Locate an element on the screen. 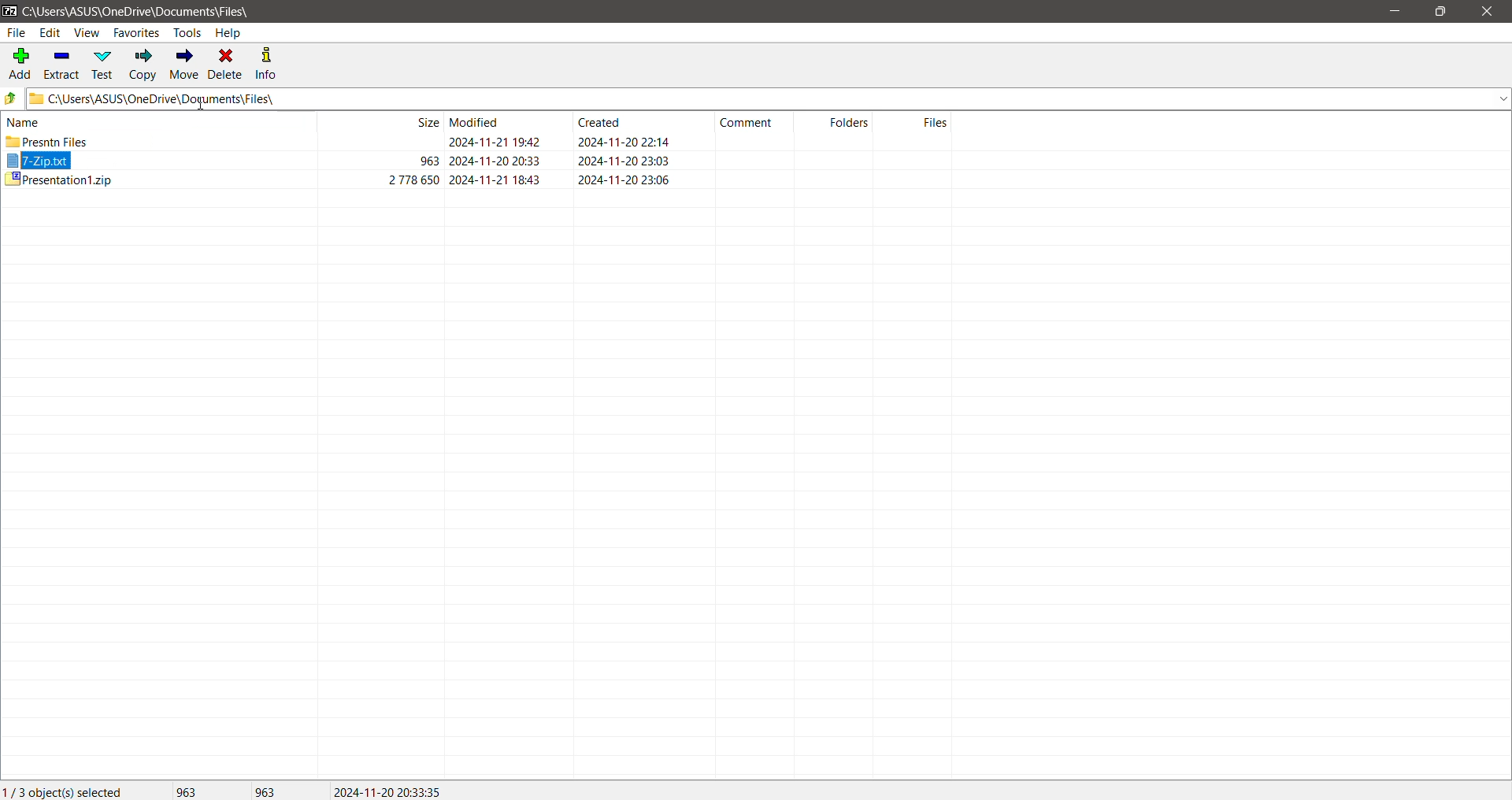  comment is located at coordinates (746, 122).